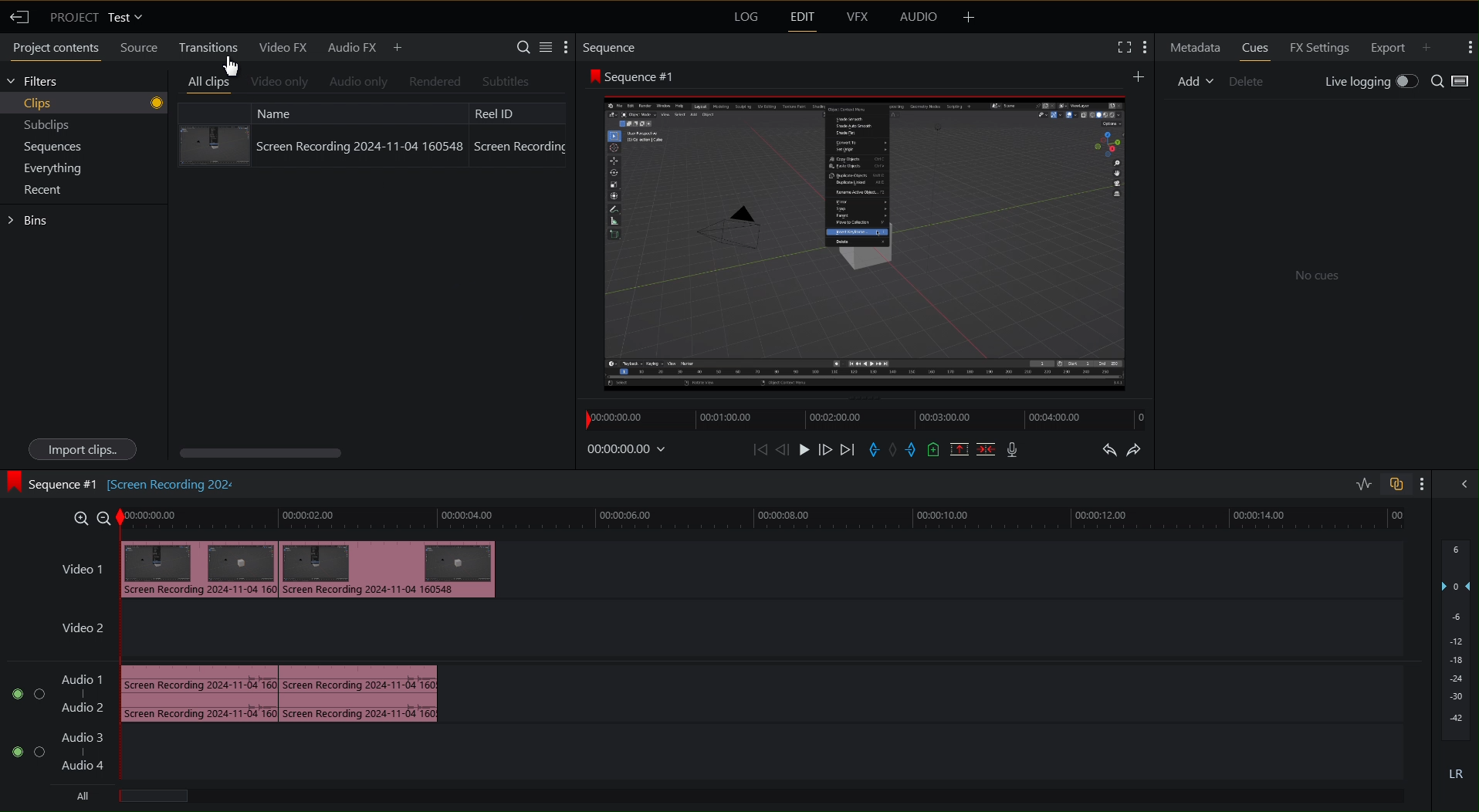  What do you see at coordinates (783, 450) in the screenshot?
I see `Move Back` at bounding box center [783, 450].